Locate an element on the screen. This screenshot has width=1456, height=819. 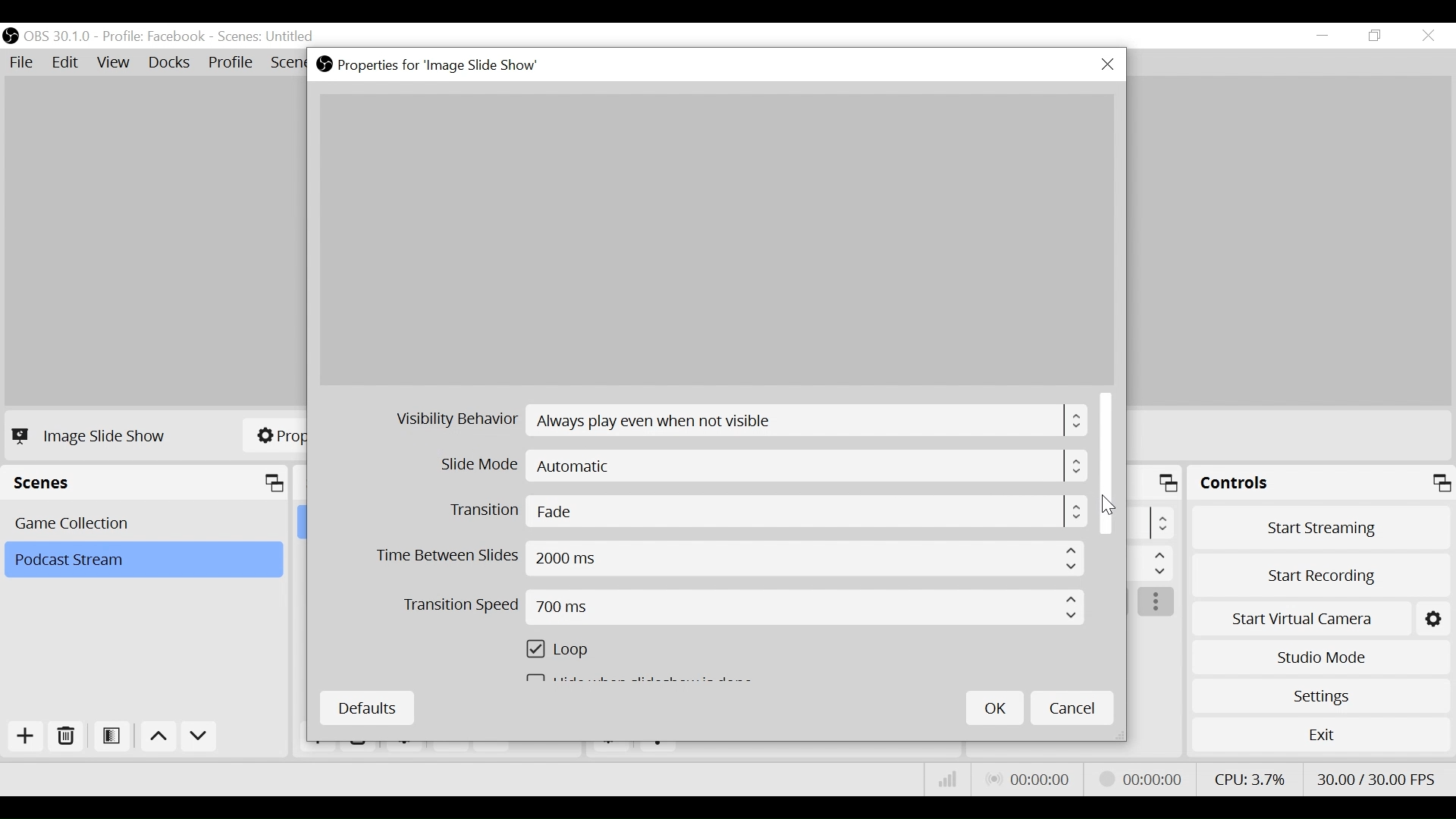
Controls is located at coordinates (1321, 485).